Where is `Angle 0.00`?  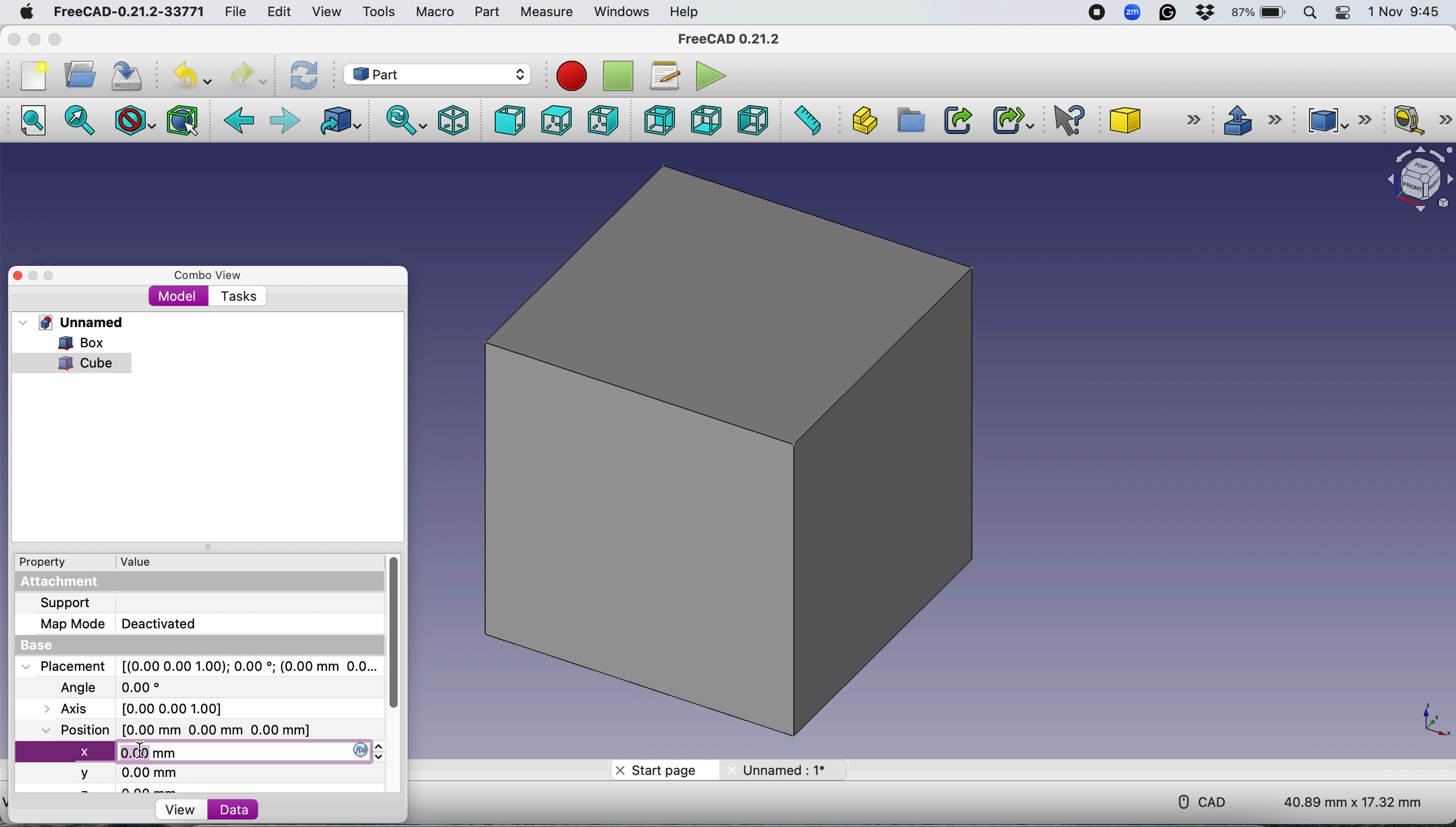 Angle 0.00 is located at coordinates (119, 688).